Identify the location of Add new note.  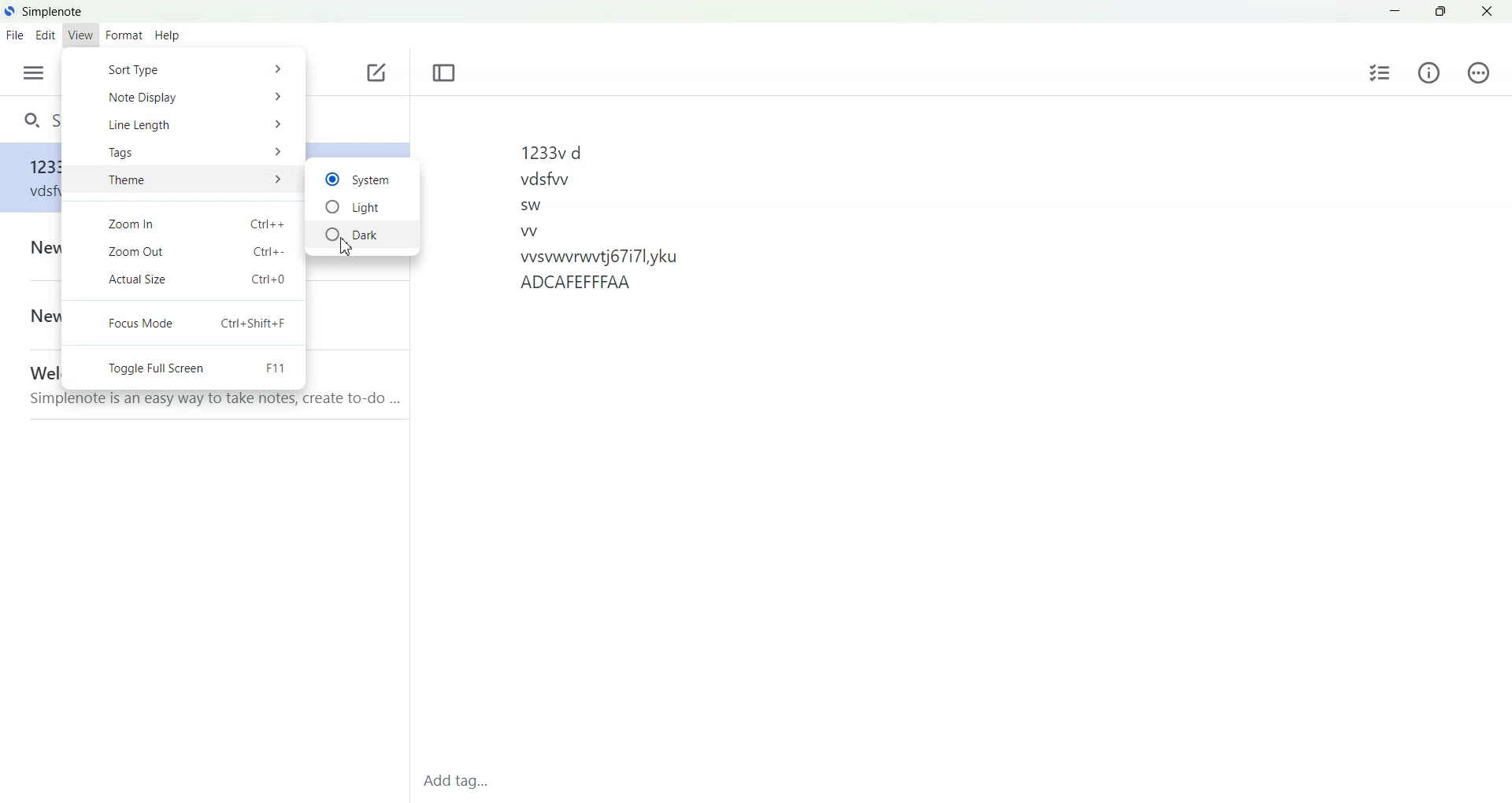
(376, 72).